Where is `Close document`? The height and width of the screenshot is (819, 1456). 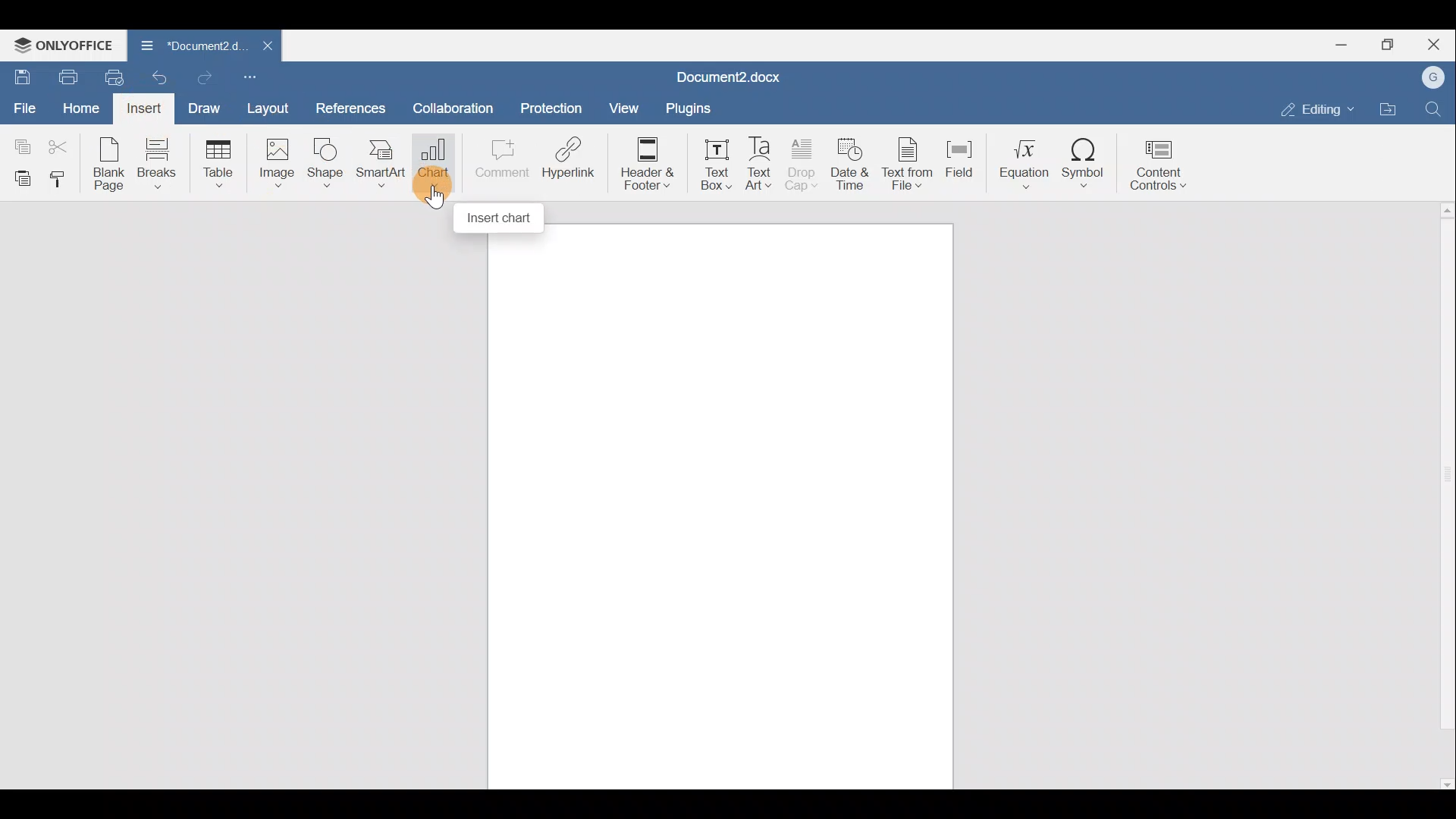 Close document is located at coordinates (265, 47).